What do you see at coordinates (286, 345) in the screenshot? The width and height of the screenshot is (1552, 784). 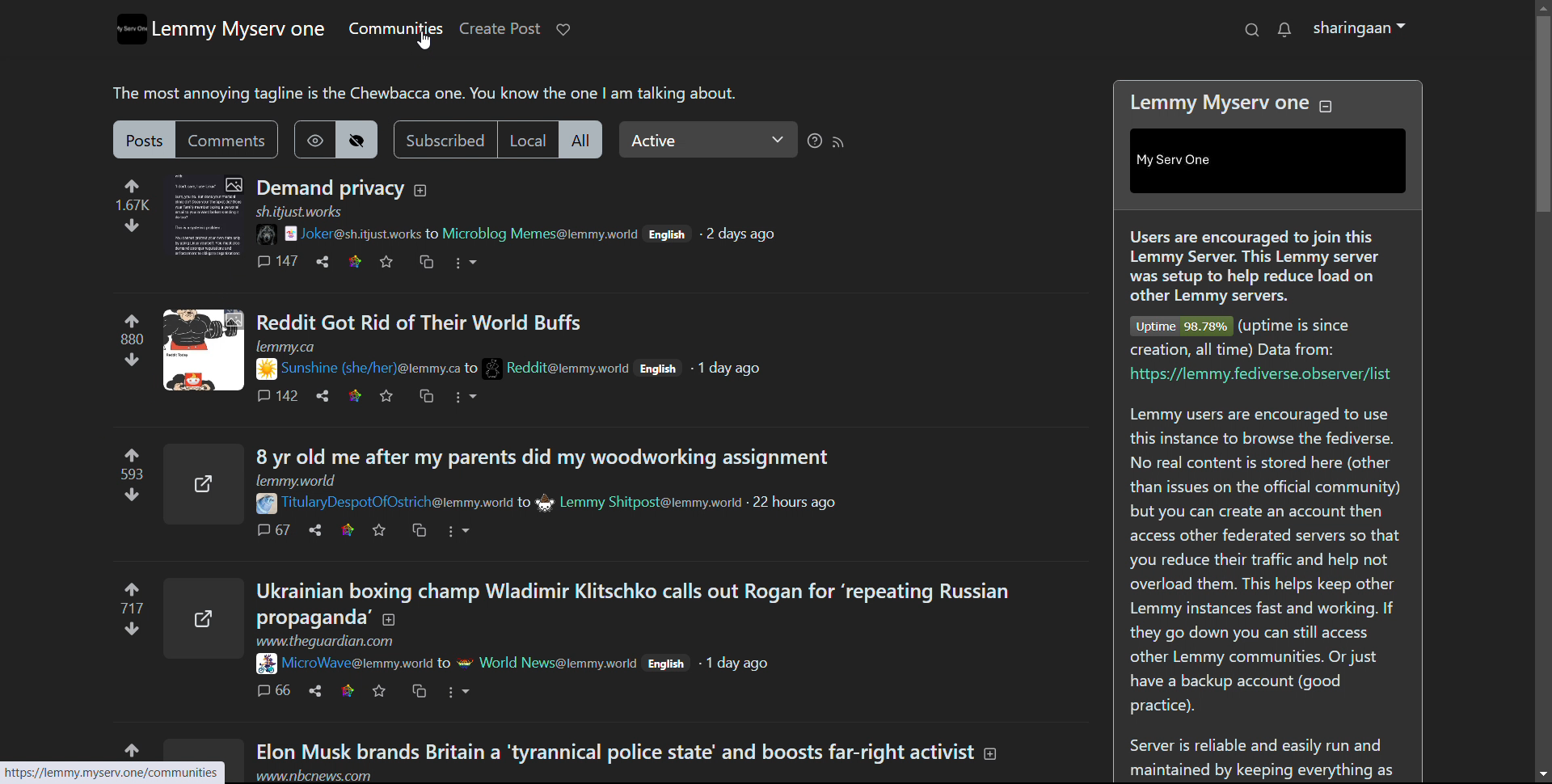 I see `URL` at bounding box center [286, 345].